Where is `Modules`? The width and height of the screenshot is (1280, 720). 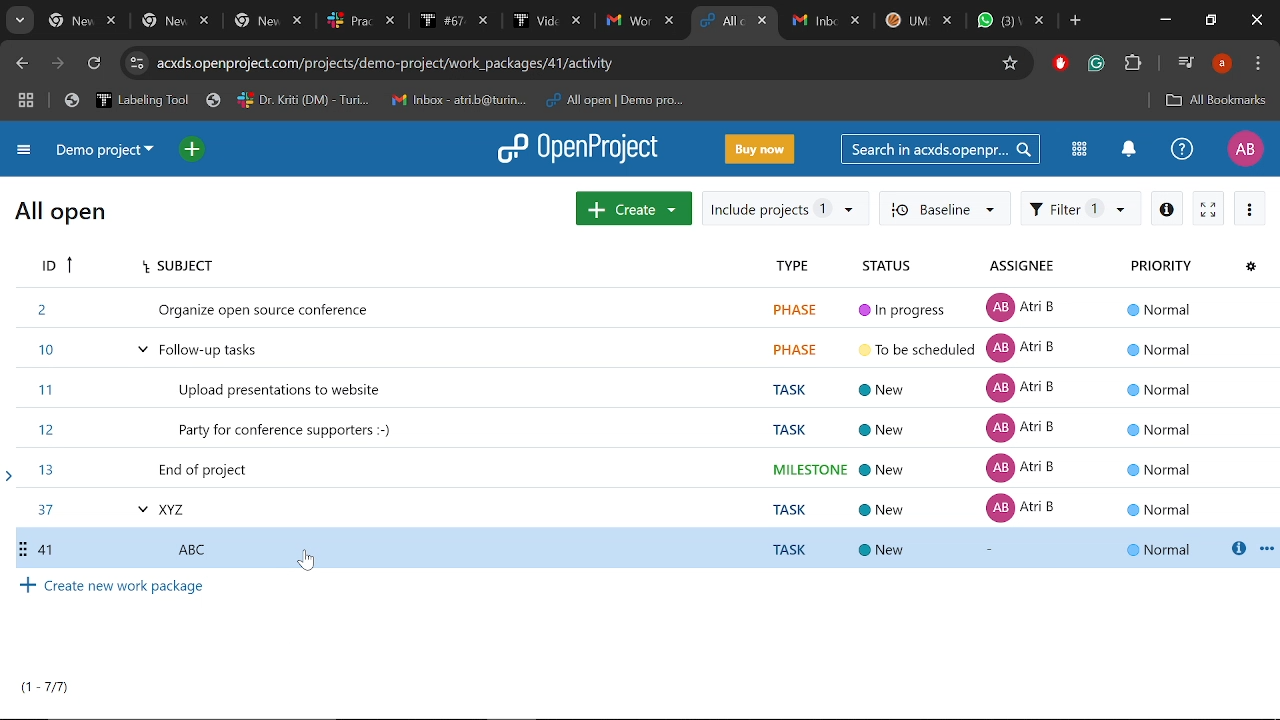
Modules is located at coordinates (1079, 149).